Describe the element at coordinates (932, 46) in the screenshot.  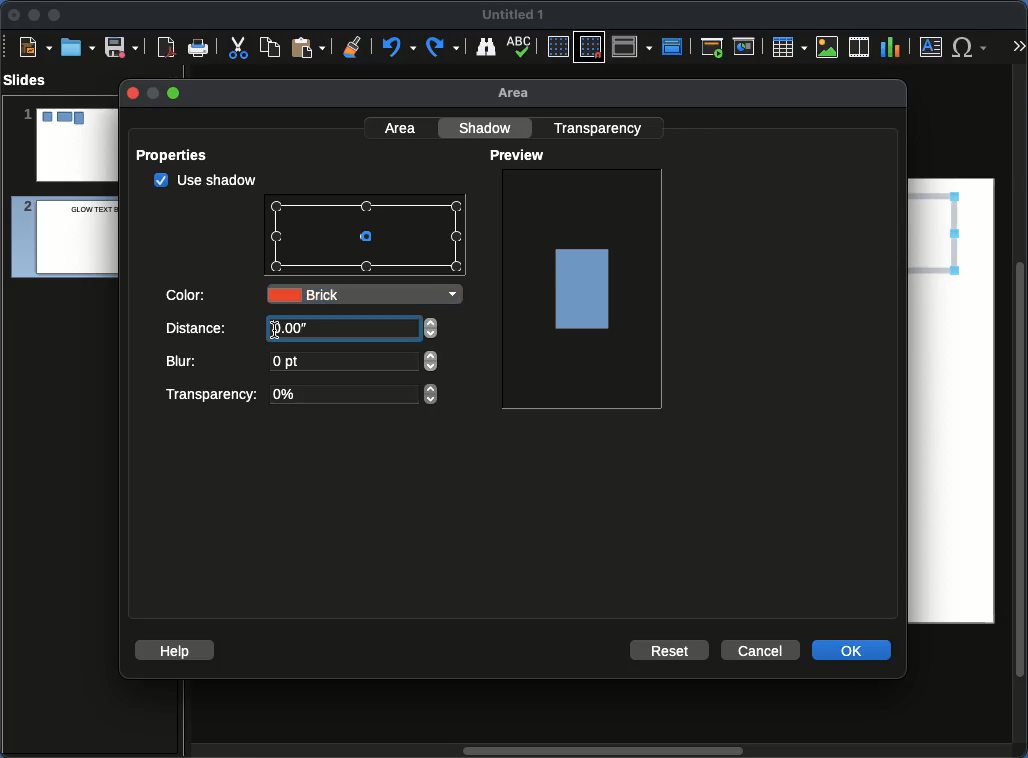
I see `Textbox` at that location.